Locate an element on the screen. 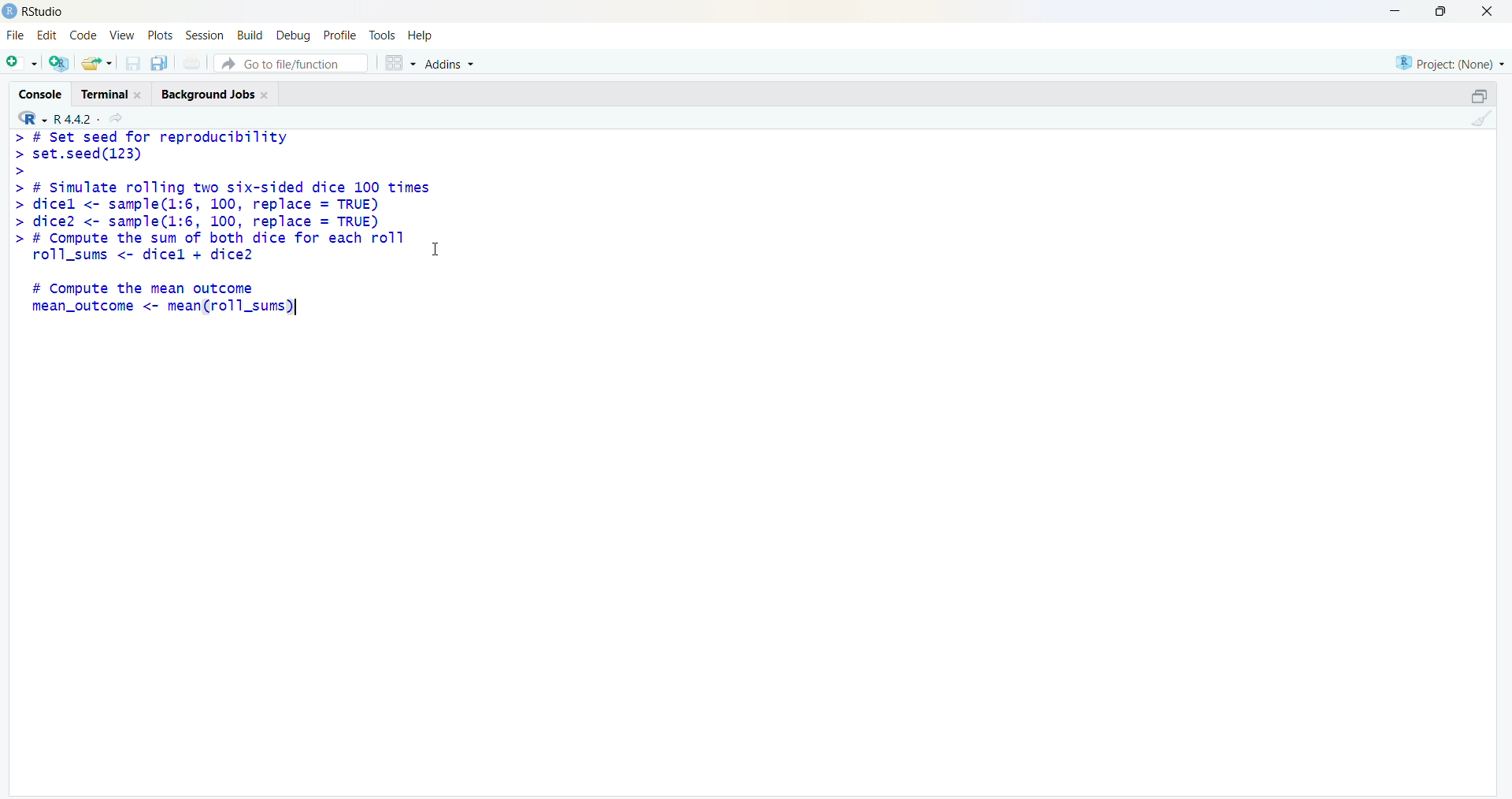 This screenshot has height=799, width=1512. close is located at coordinates (266, 95).